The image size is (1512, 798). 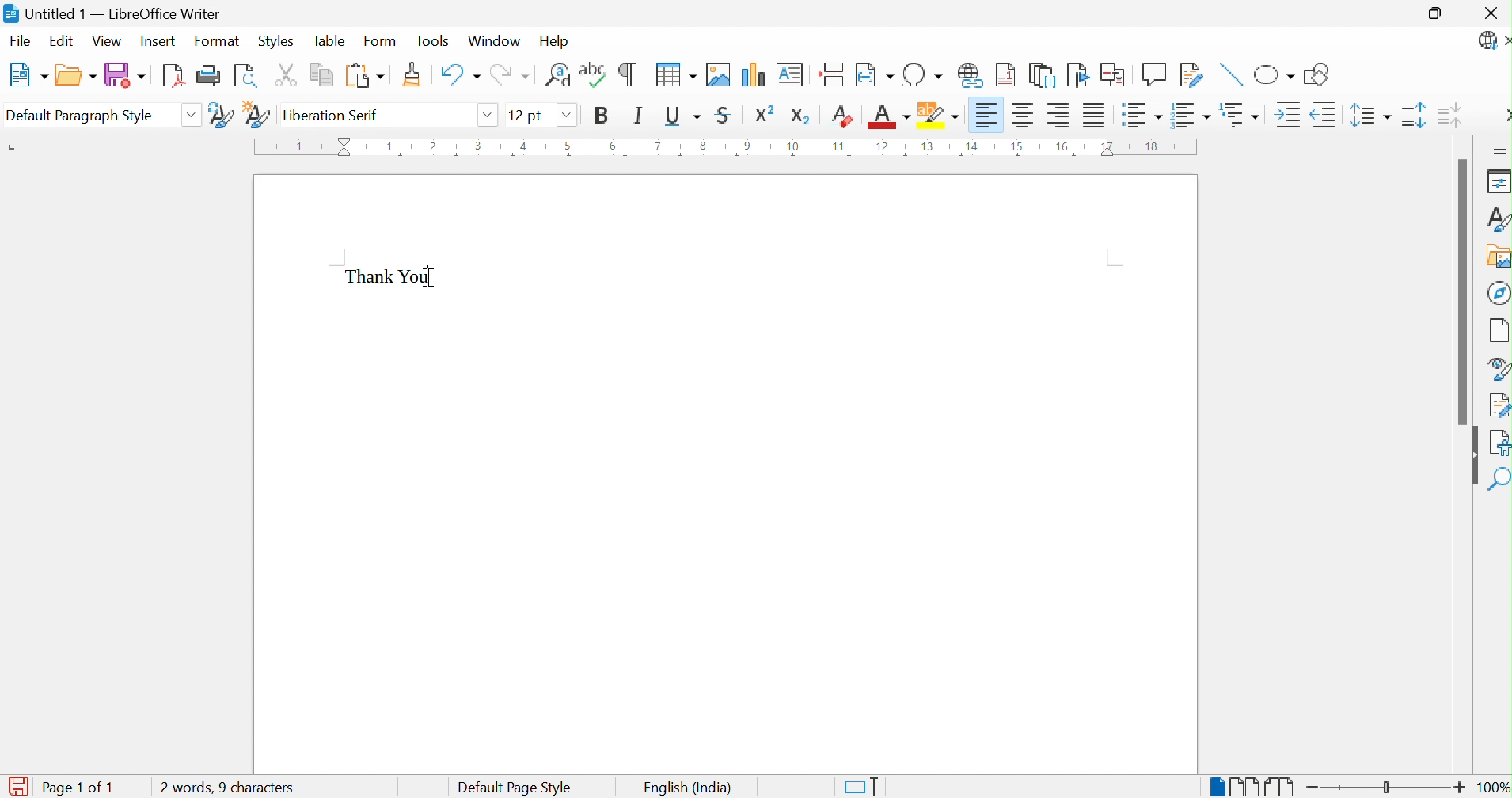 I want to click on Gallery, so click(x=1495, y=255).